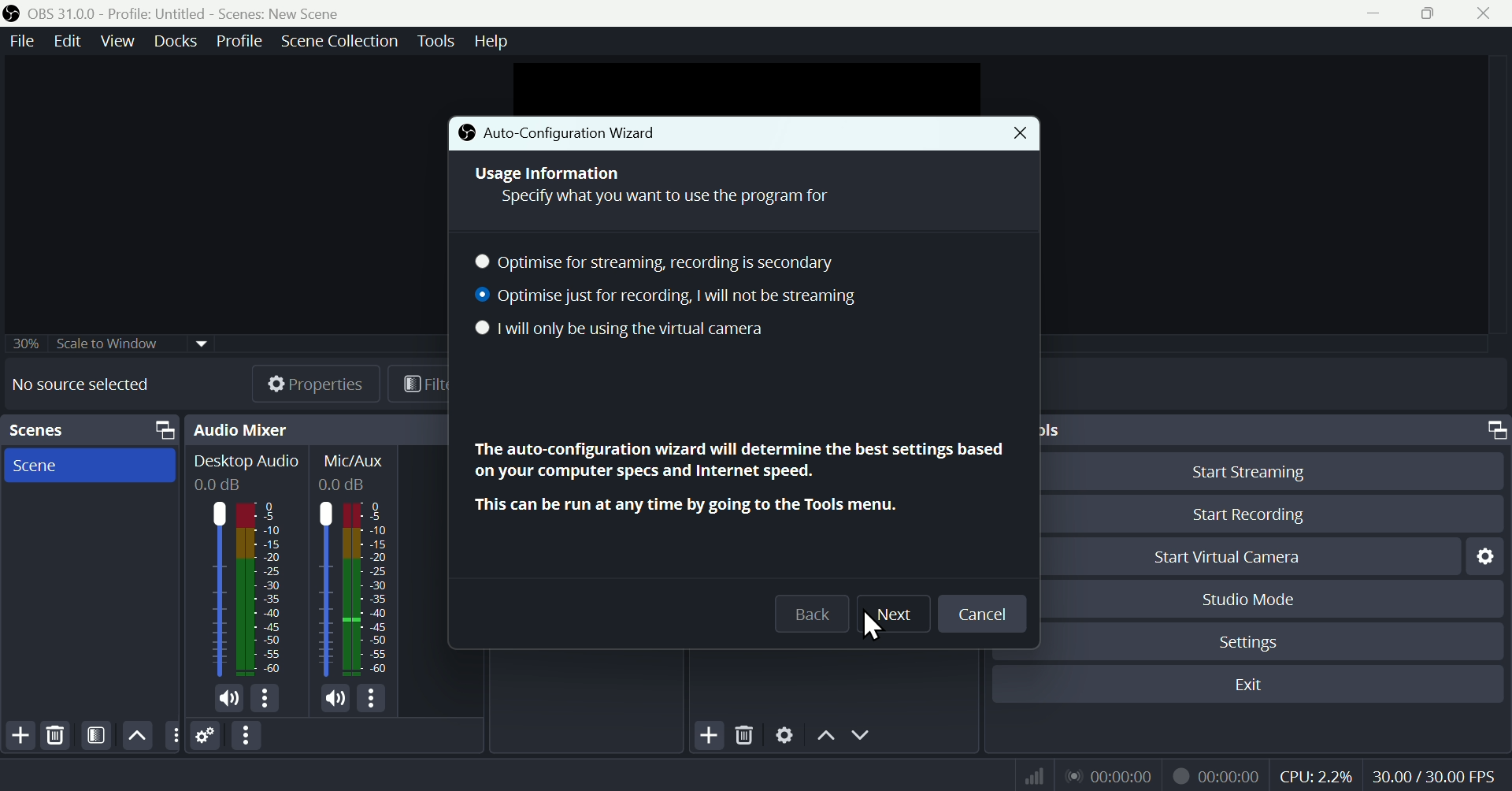 The width and height of the screenshot is (1512, 791). Describe the element at coordinates (160, 430) in the screenshot. I see `screen resize` at that location.